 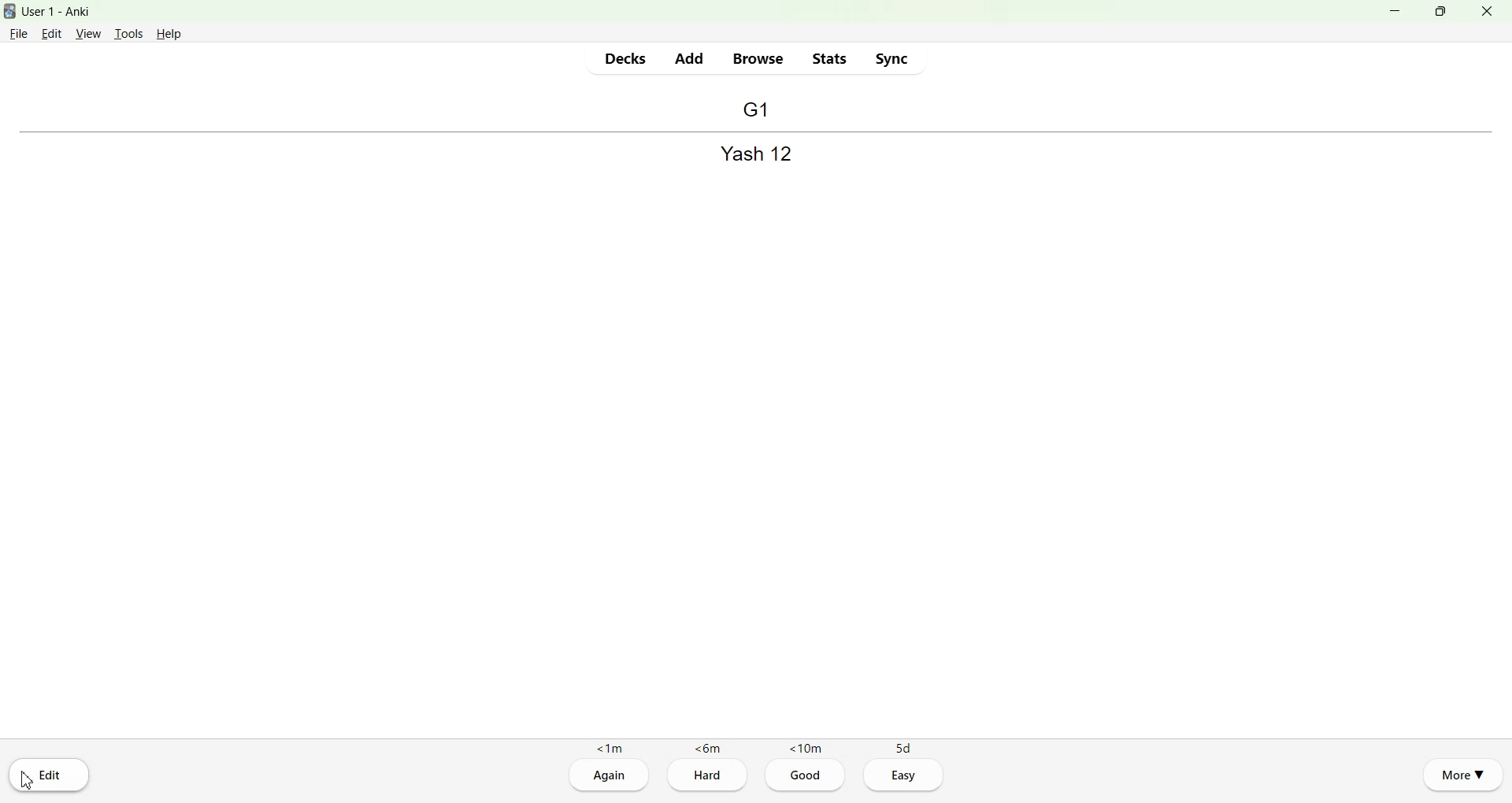 What do you see at coordinates (755, 110) in the screenshot?
I see `Back file name` at bounding box center [755, 110].